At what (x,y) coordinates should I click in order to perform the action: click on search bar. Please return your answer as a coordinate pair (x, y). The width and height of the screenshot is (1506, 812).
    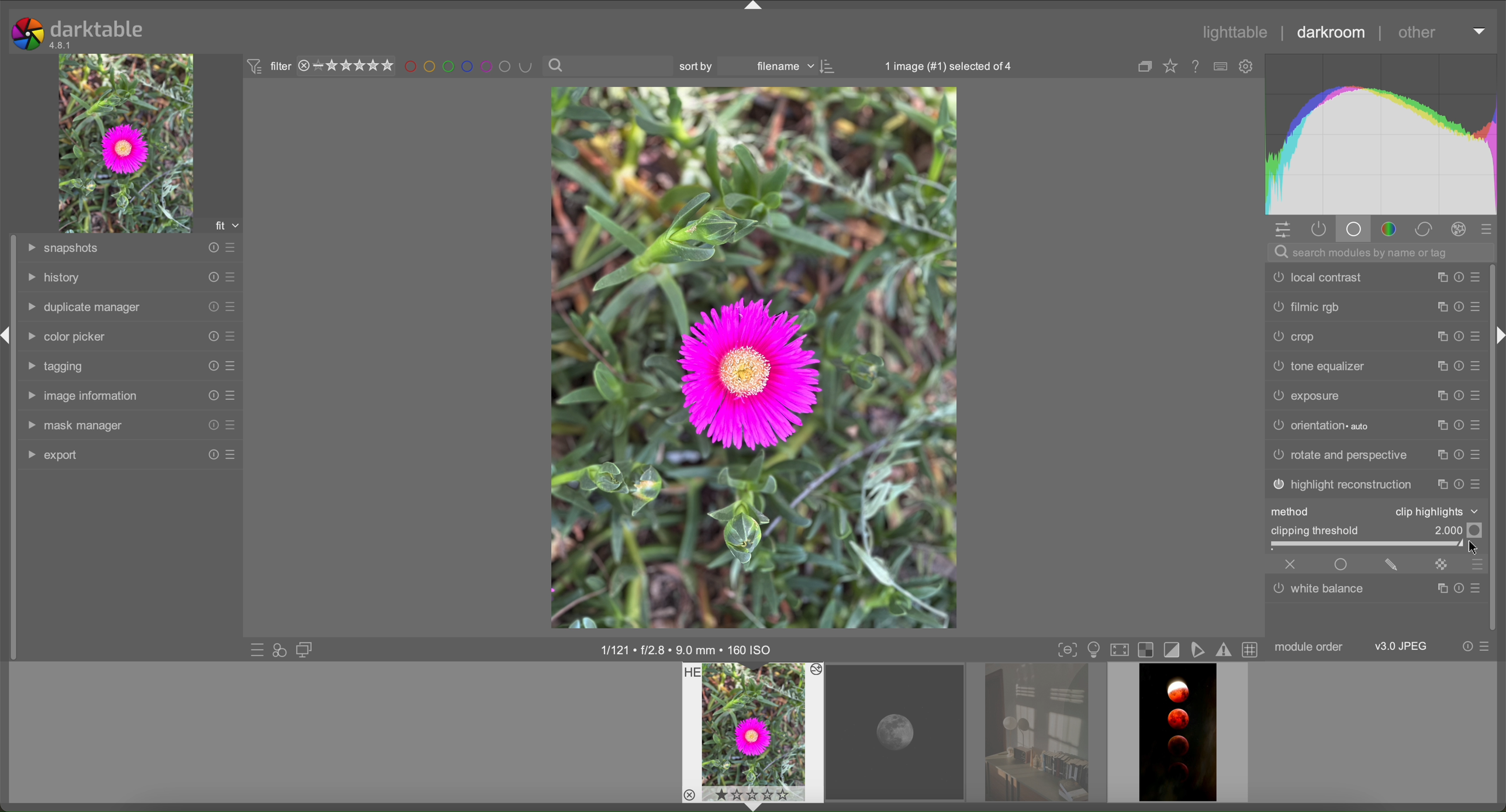
    Looking at the image, I should click on (609, 66).